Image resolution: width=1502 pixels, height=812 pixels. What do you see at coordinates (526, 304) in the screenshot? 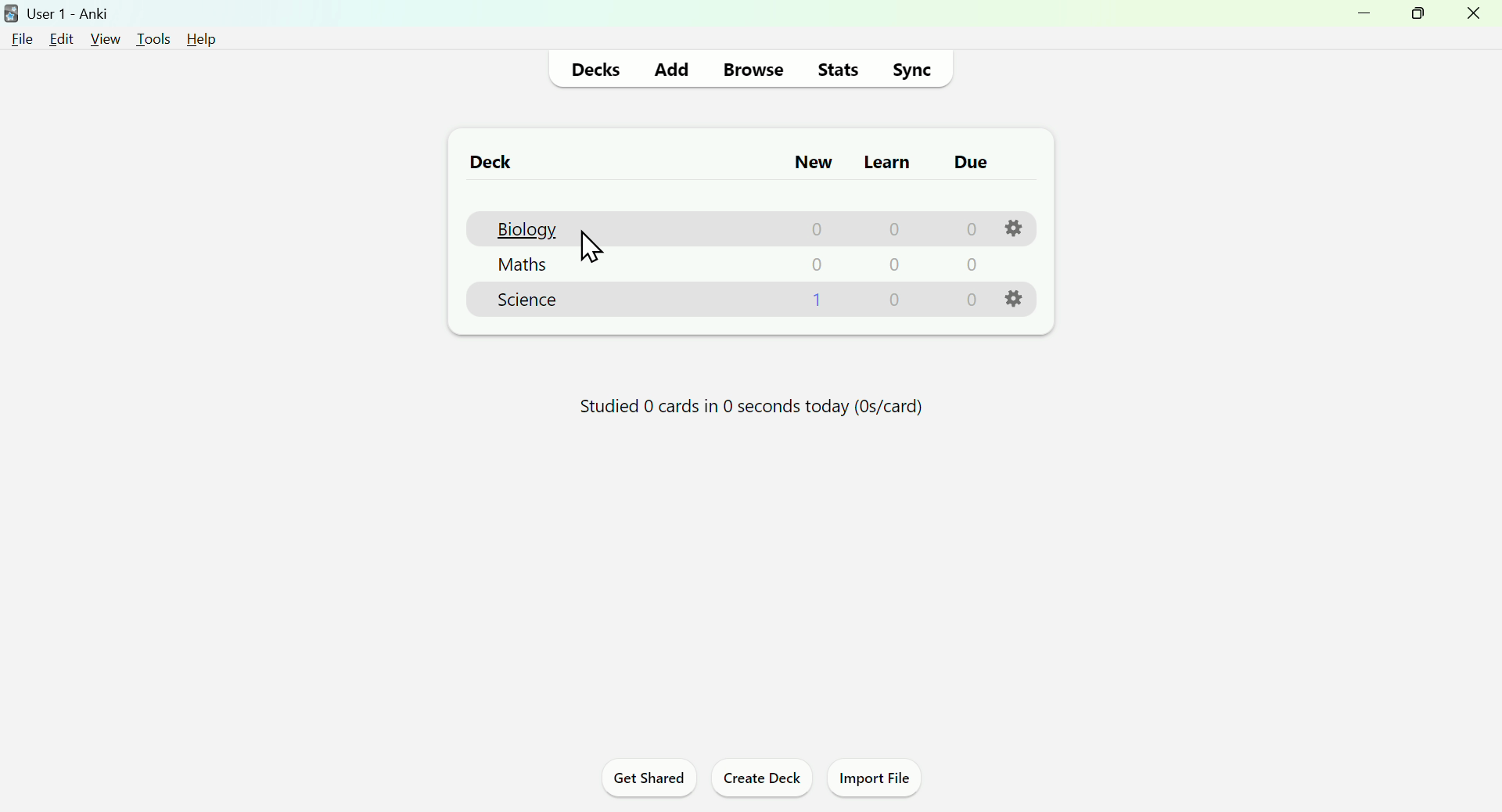
I see `Science` at bounding box center [526, 304].